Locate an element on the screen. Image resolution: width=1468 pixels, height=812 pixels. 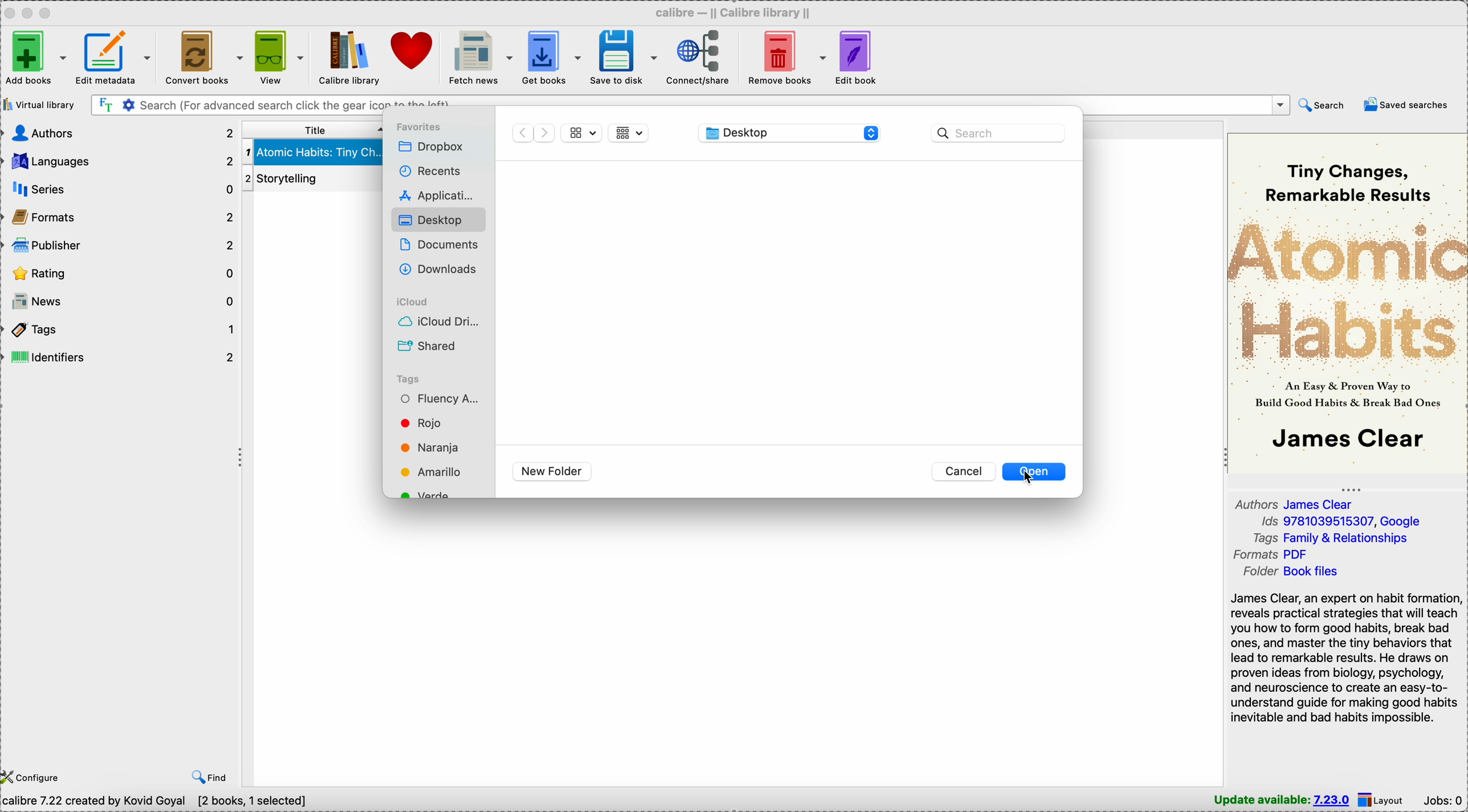
list view is located at coordinates (629, 133).